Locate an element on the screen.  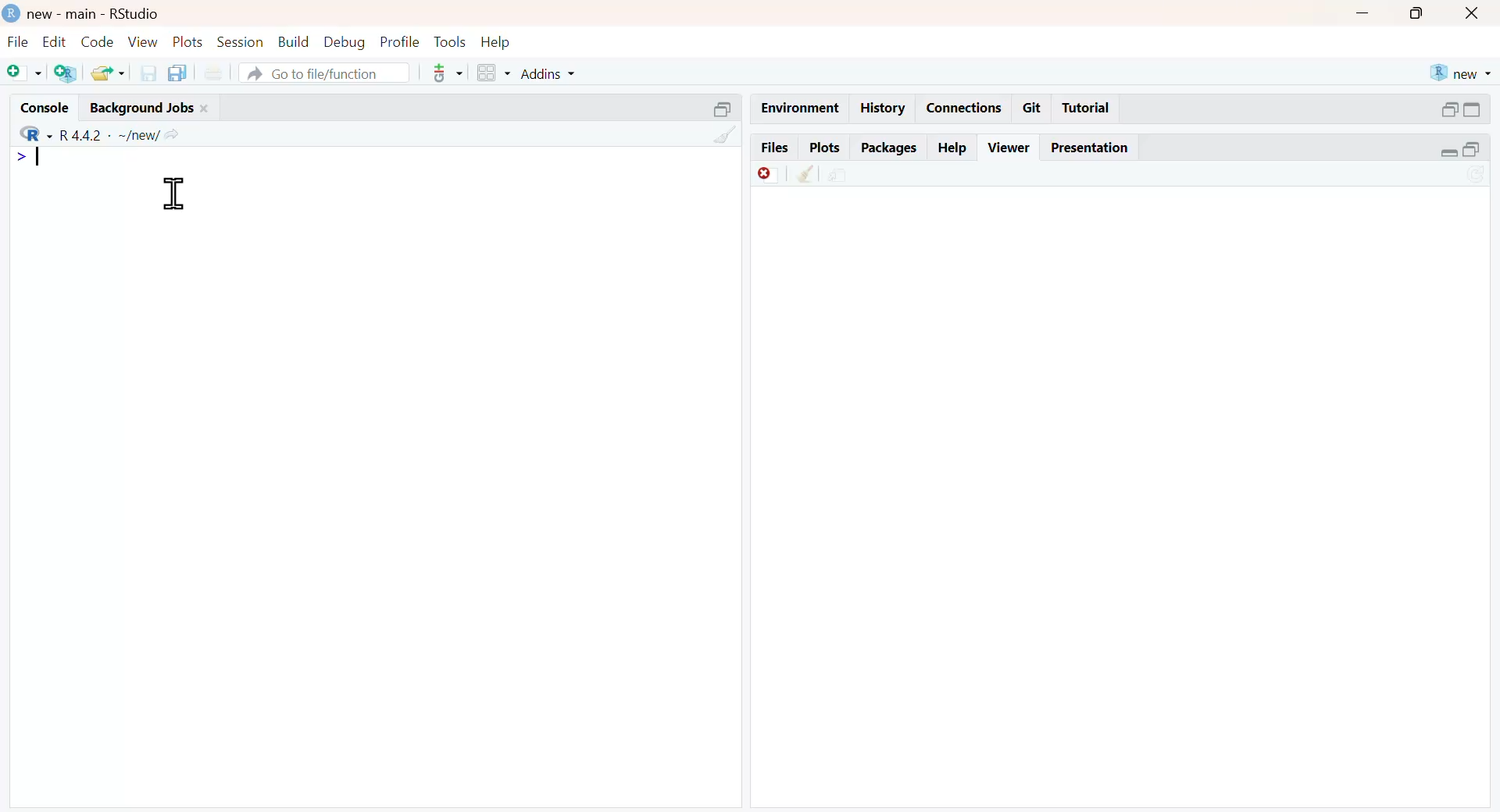
help is located at coordinates (495, 44).